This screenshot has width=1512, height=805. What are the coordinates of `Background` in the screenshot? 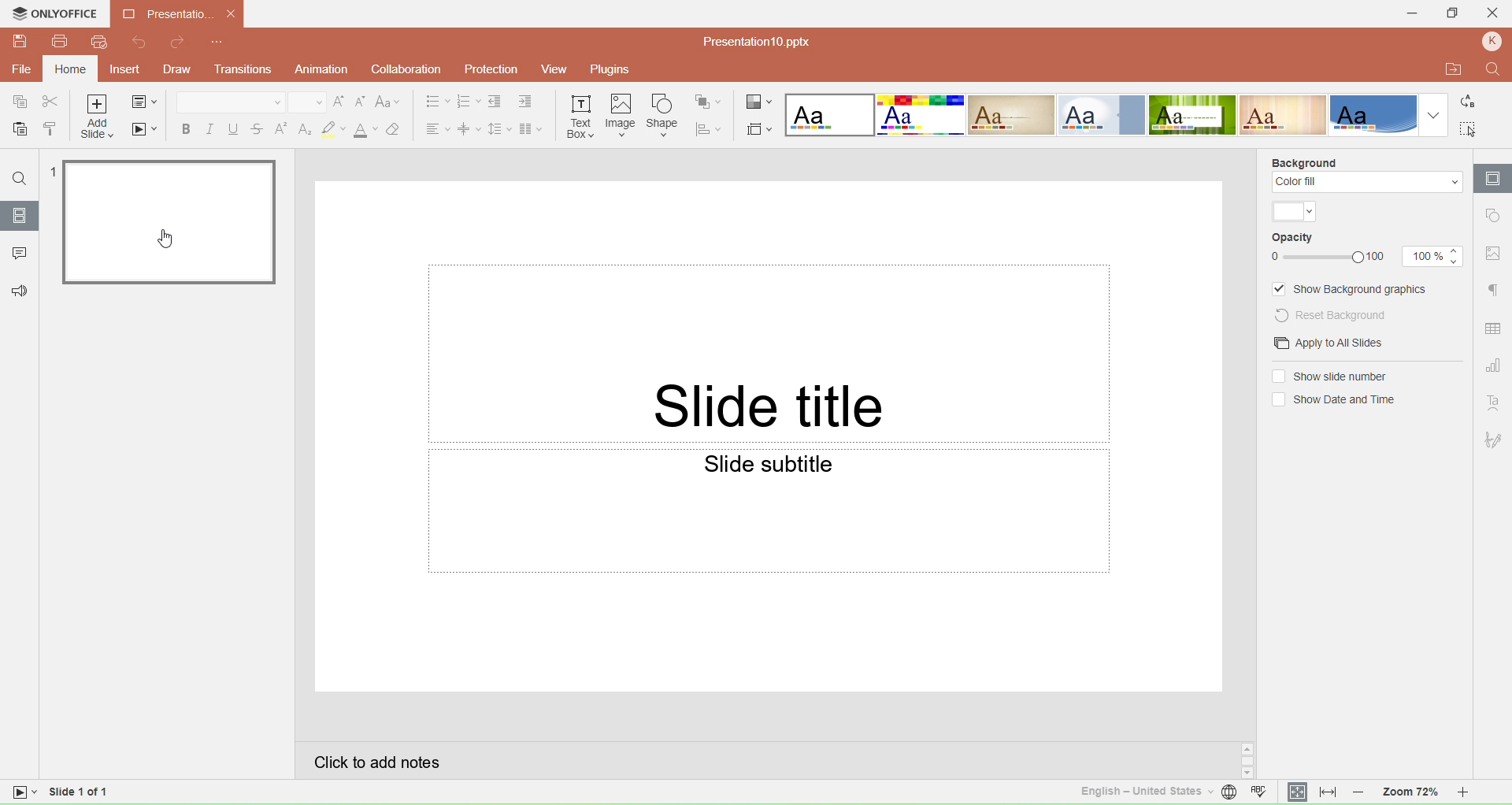 It's located at (1304, 161).